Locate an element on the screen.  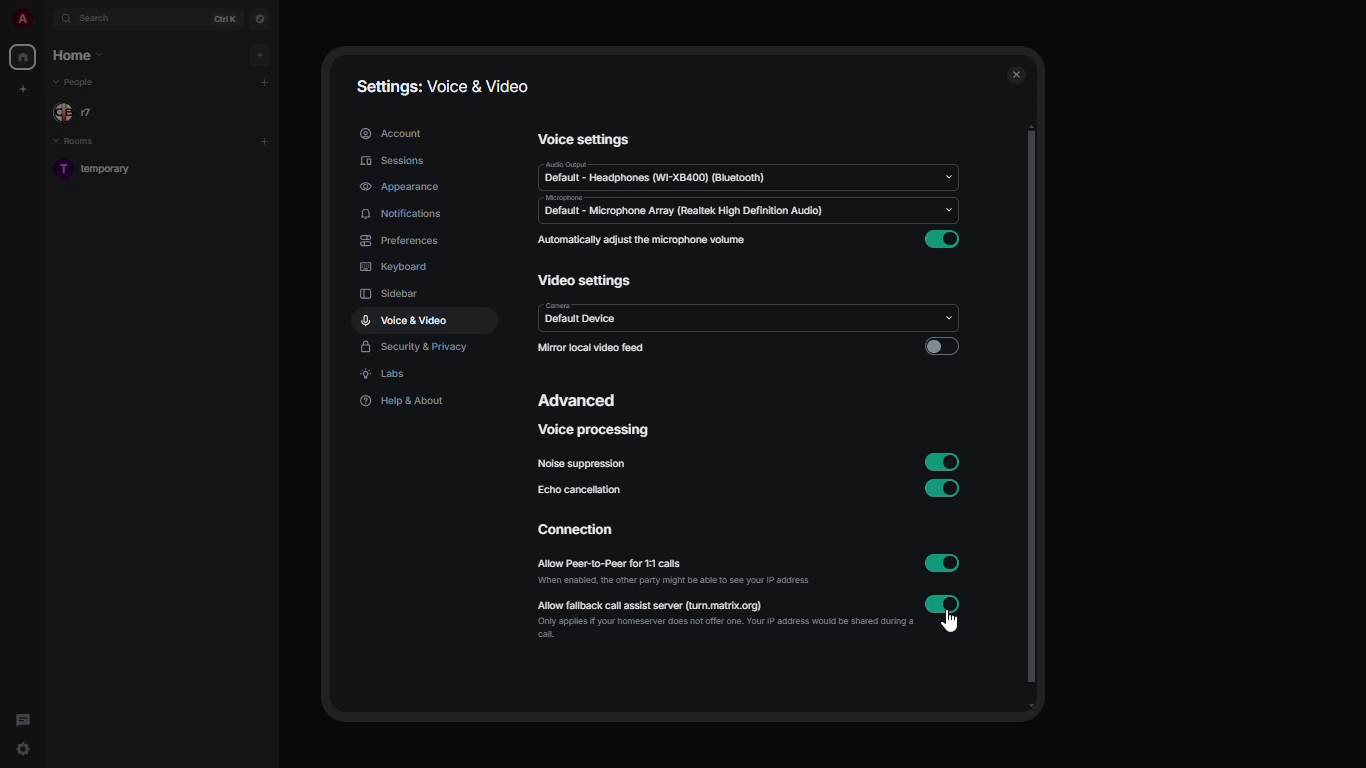
enabled is located at coordinates (943, 604).